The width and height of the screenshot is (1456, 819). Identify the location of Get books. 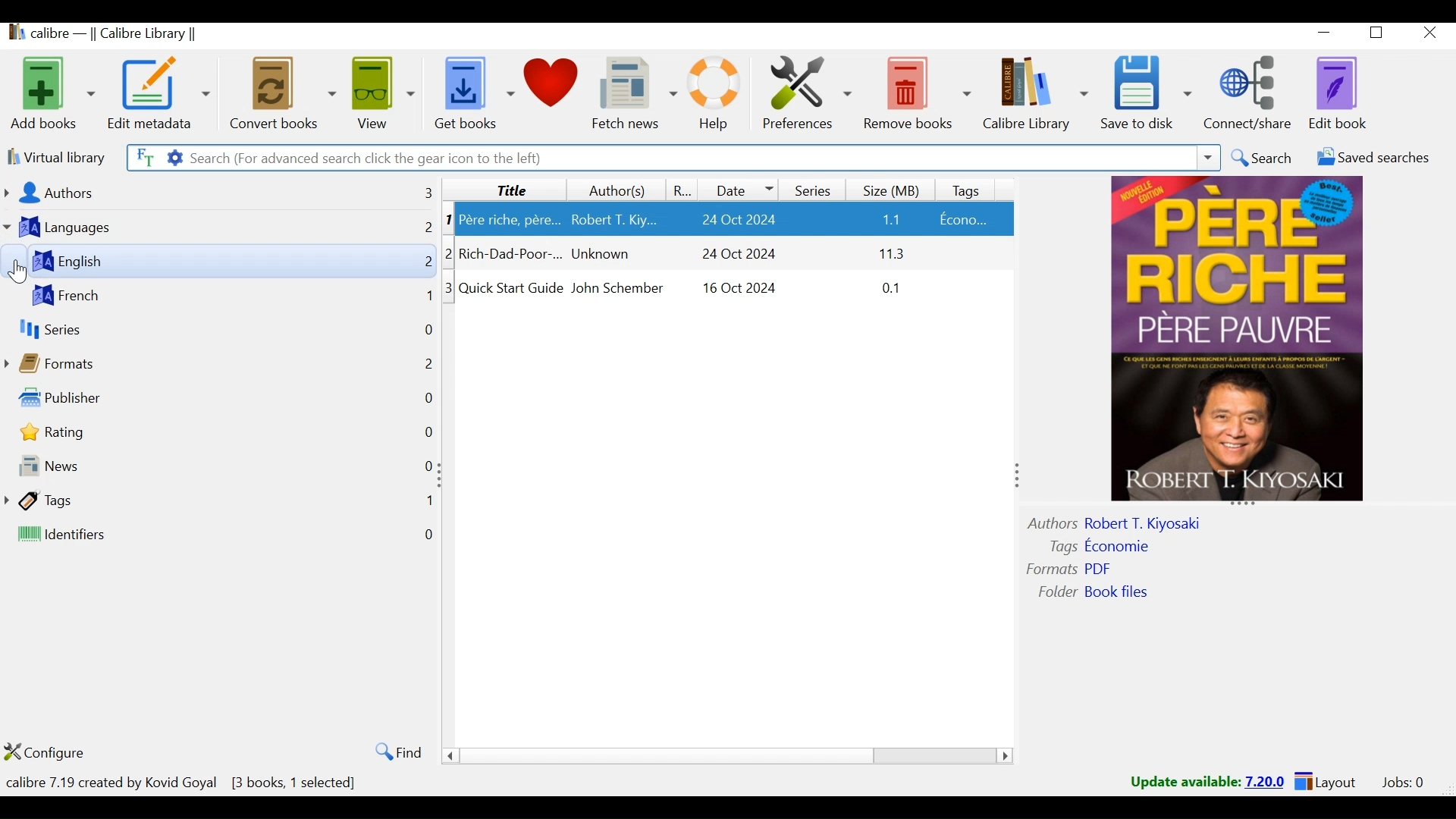
(472, 93).